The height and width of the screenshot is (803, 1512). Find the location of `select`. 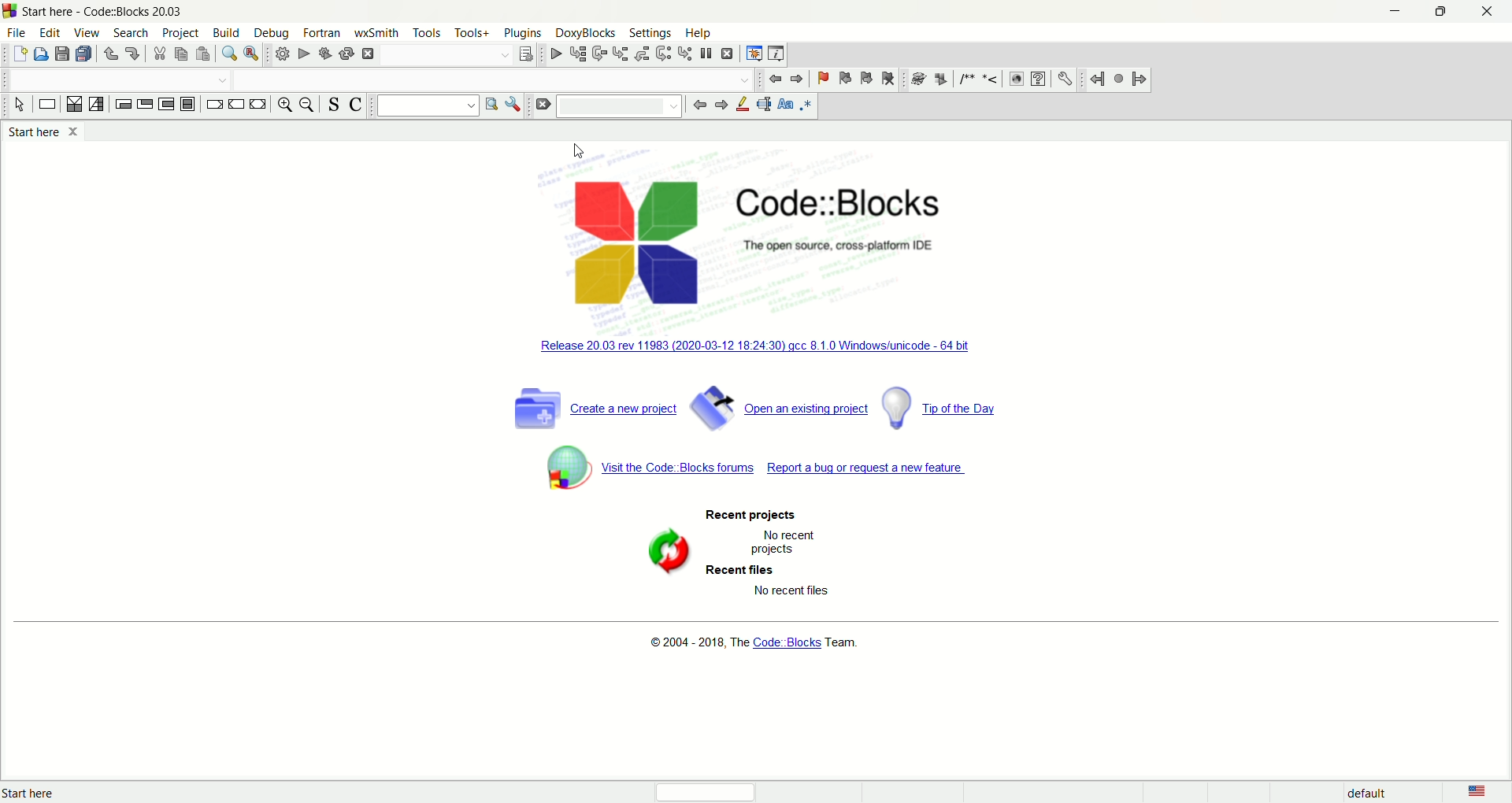

select is located at coordinates (20, 107).